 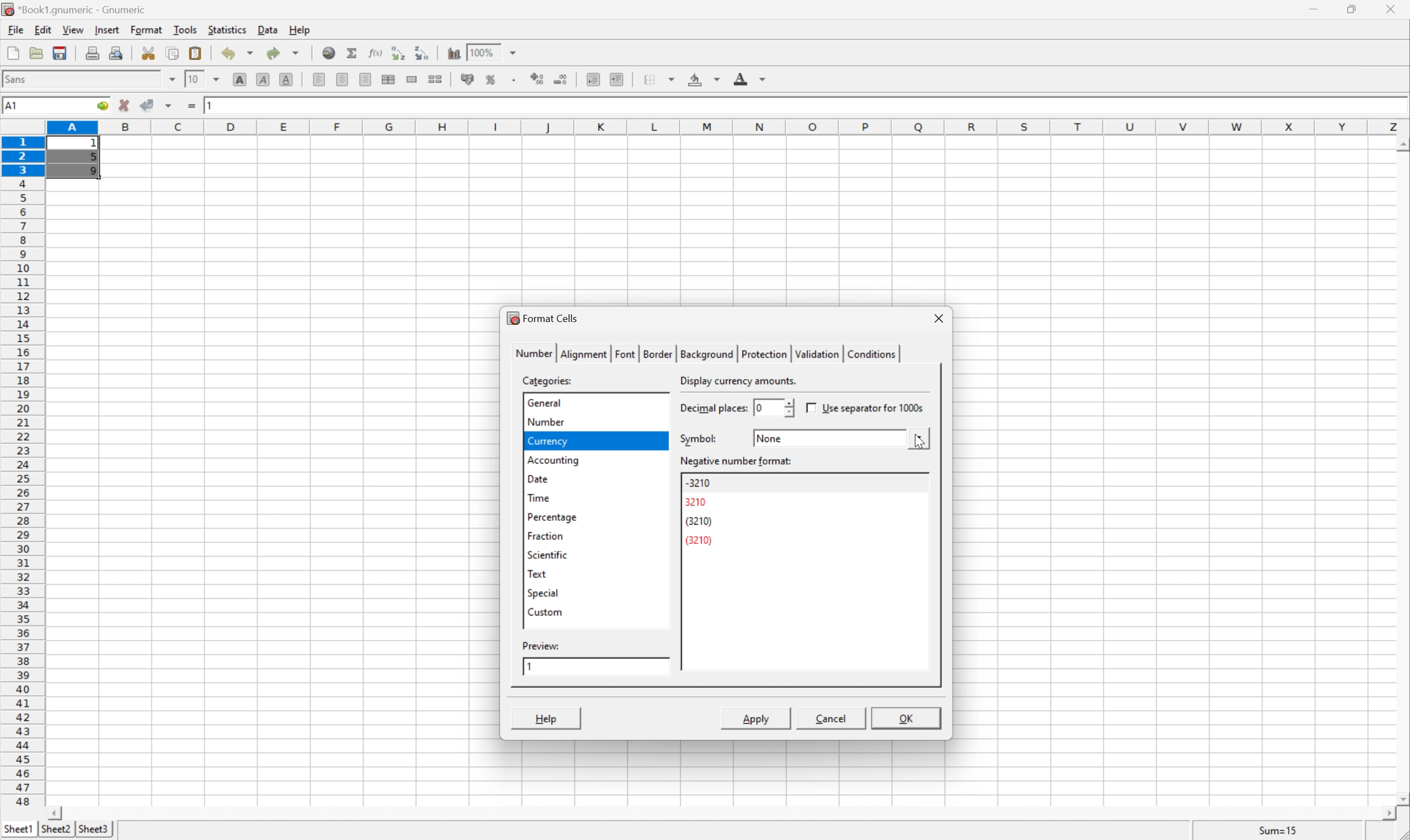 What do you see at coordinates (125, 105) in the screenshot?
I see `cancel changes` at bounding box center [125, 105].